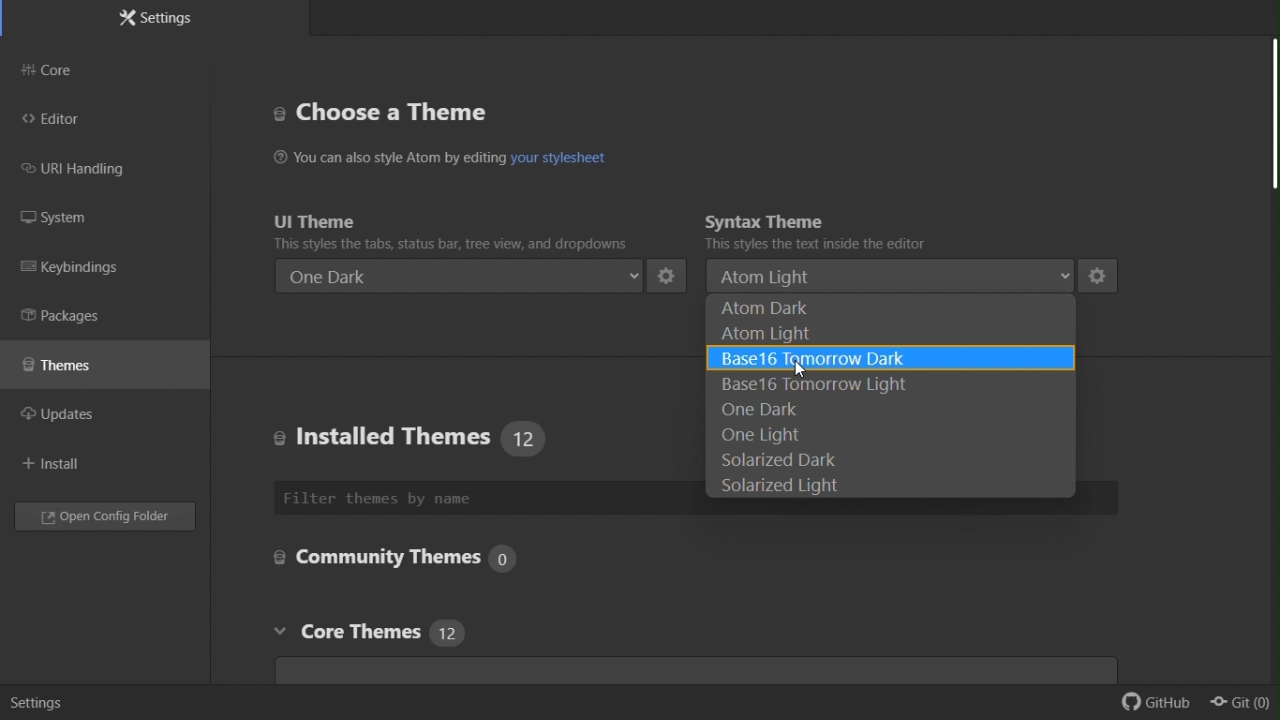 Image resolution: width=1280 pixels, height=720 pixels. I want to click on Core settings , so click(407, 559).